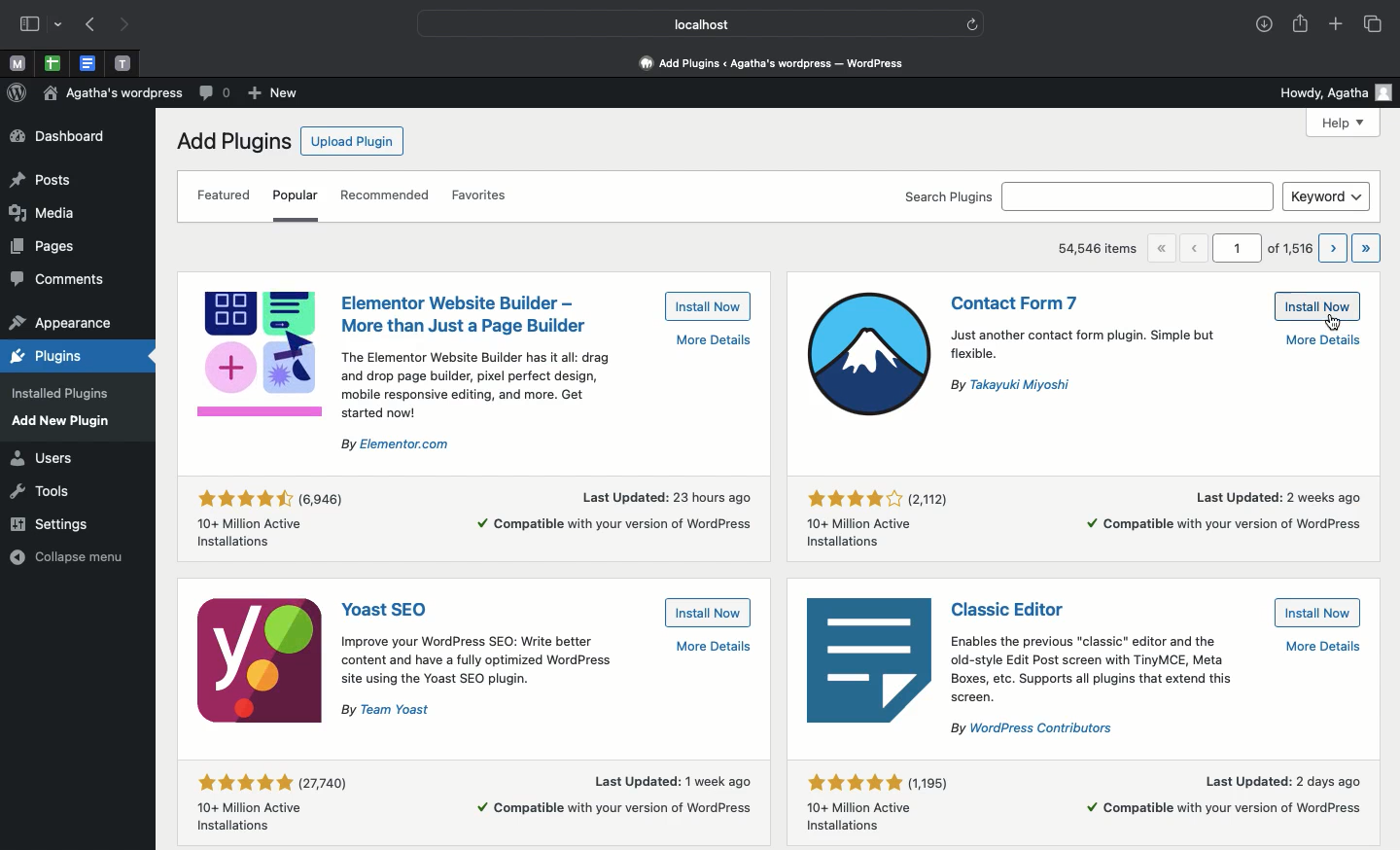 The image size is (1400, 850). What do you see at coordinates (87, 25) in the screenshot?
I see `Previous page` at bounding box center [87, 25].